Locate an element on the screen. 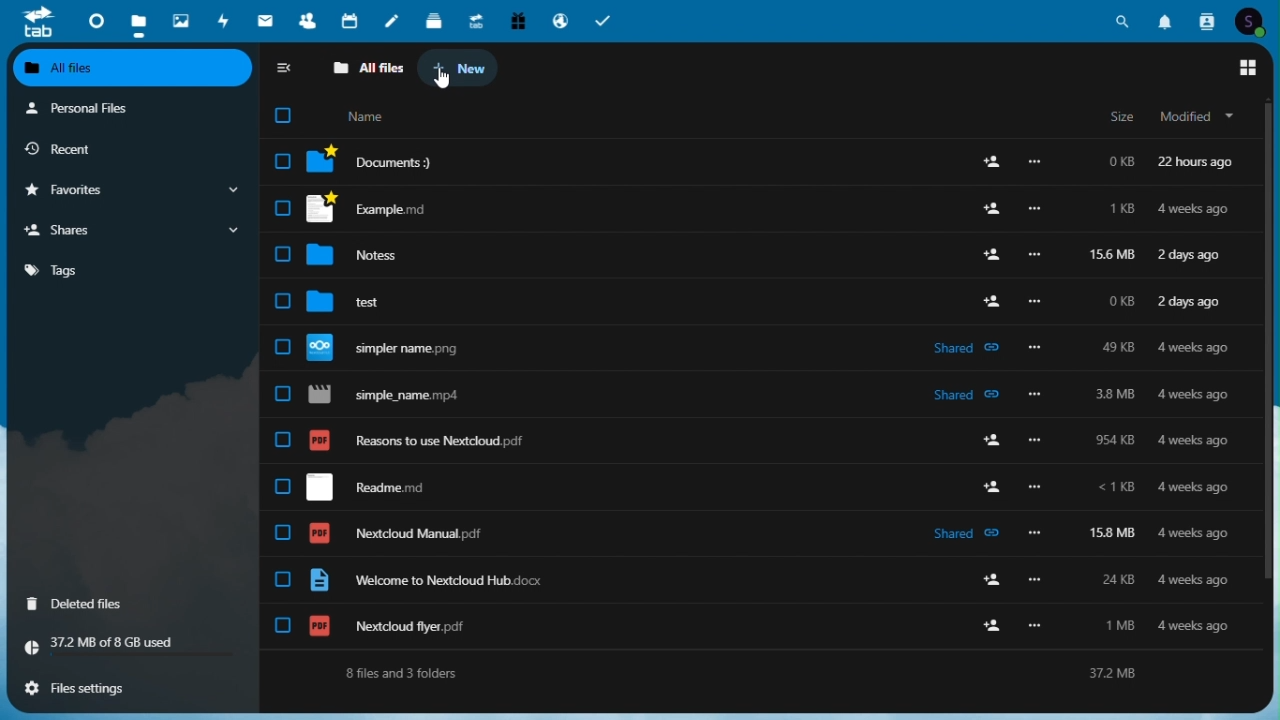 This screenshot has height=720, width=1280. size is located at coordinates (1120, 118).